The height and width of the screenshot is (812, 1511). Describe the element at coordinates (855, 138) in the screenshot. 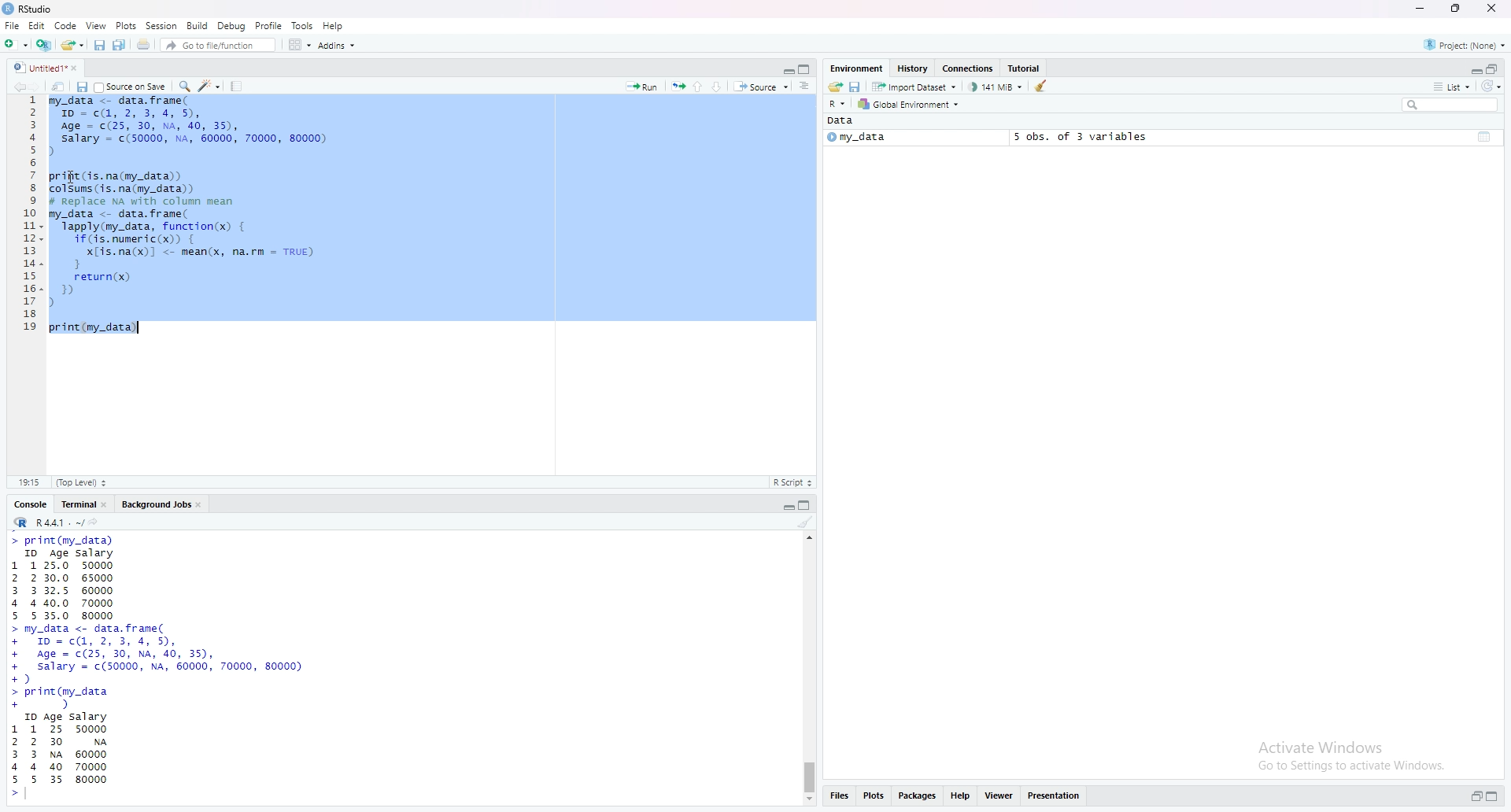

I see `my_data` at that location.